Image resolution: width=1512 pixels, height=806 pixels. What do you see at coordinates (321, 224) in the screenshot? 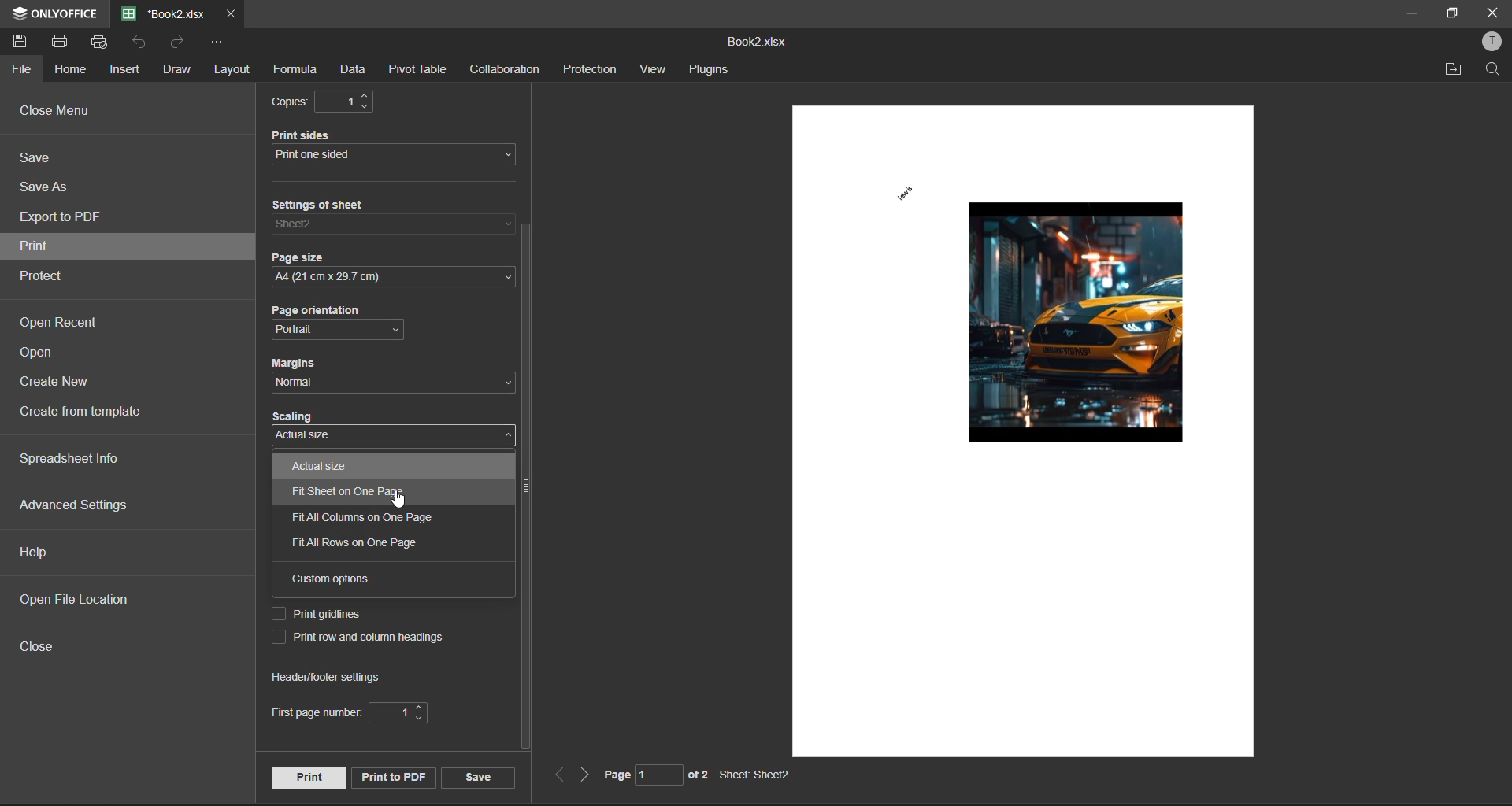
I see `sheet2` at bounding box center [321, 224].